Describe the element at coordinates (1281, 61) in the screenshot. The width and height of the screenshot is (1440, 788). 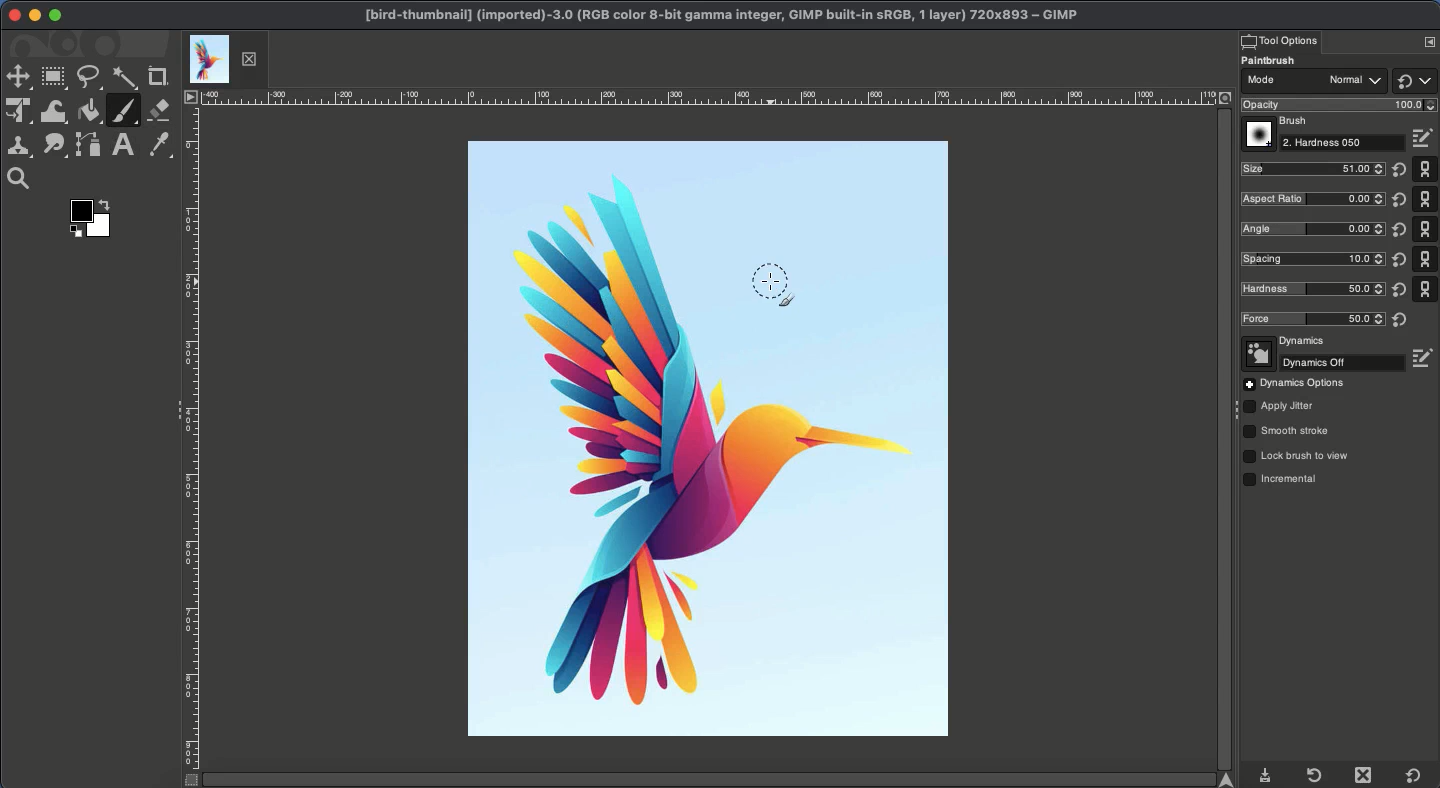
I see `Paintbrush` at that location.